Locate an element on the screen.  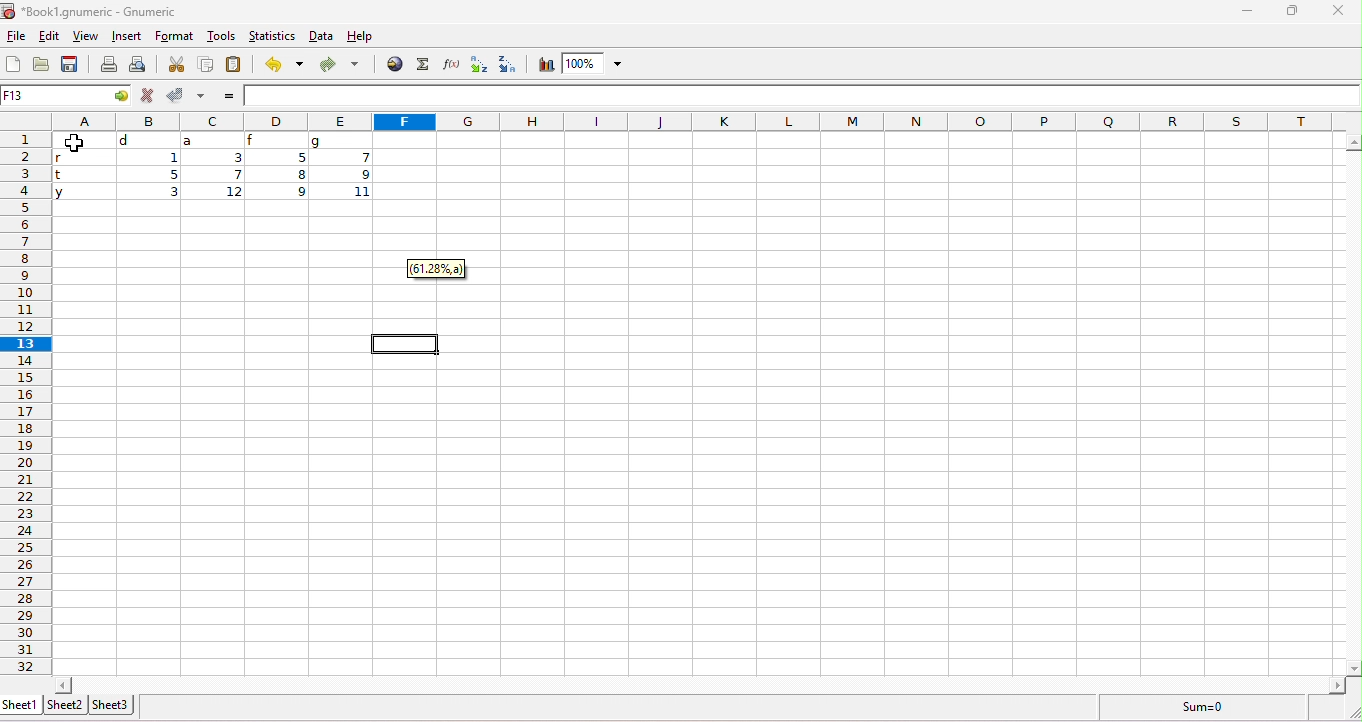
cursor is located at coordinates (77, 143).